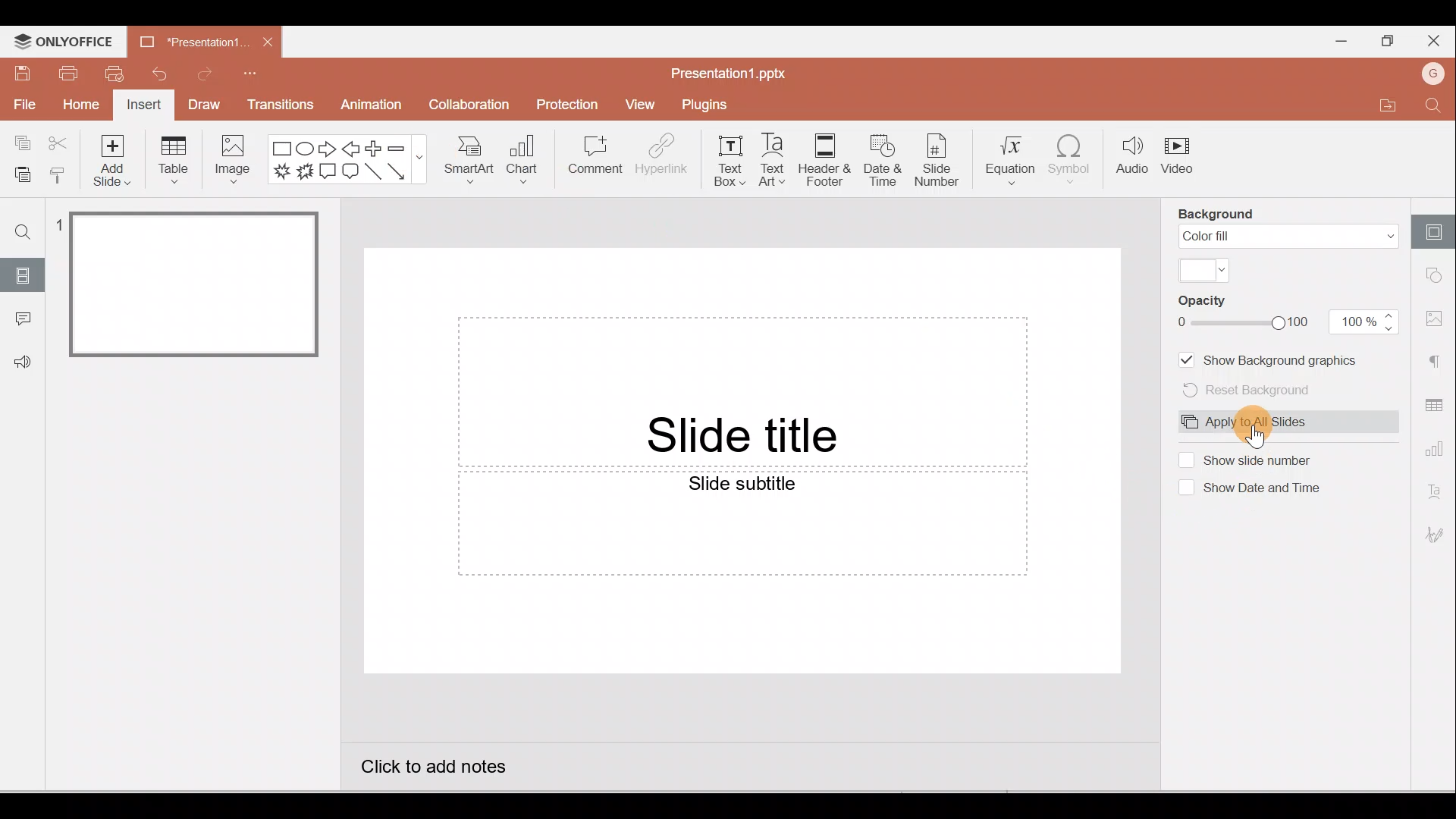 This screenshot has width=1456, height=819. I want to click on Close, so click(268, 39).